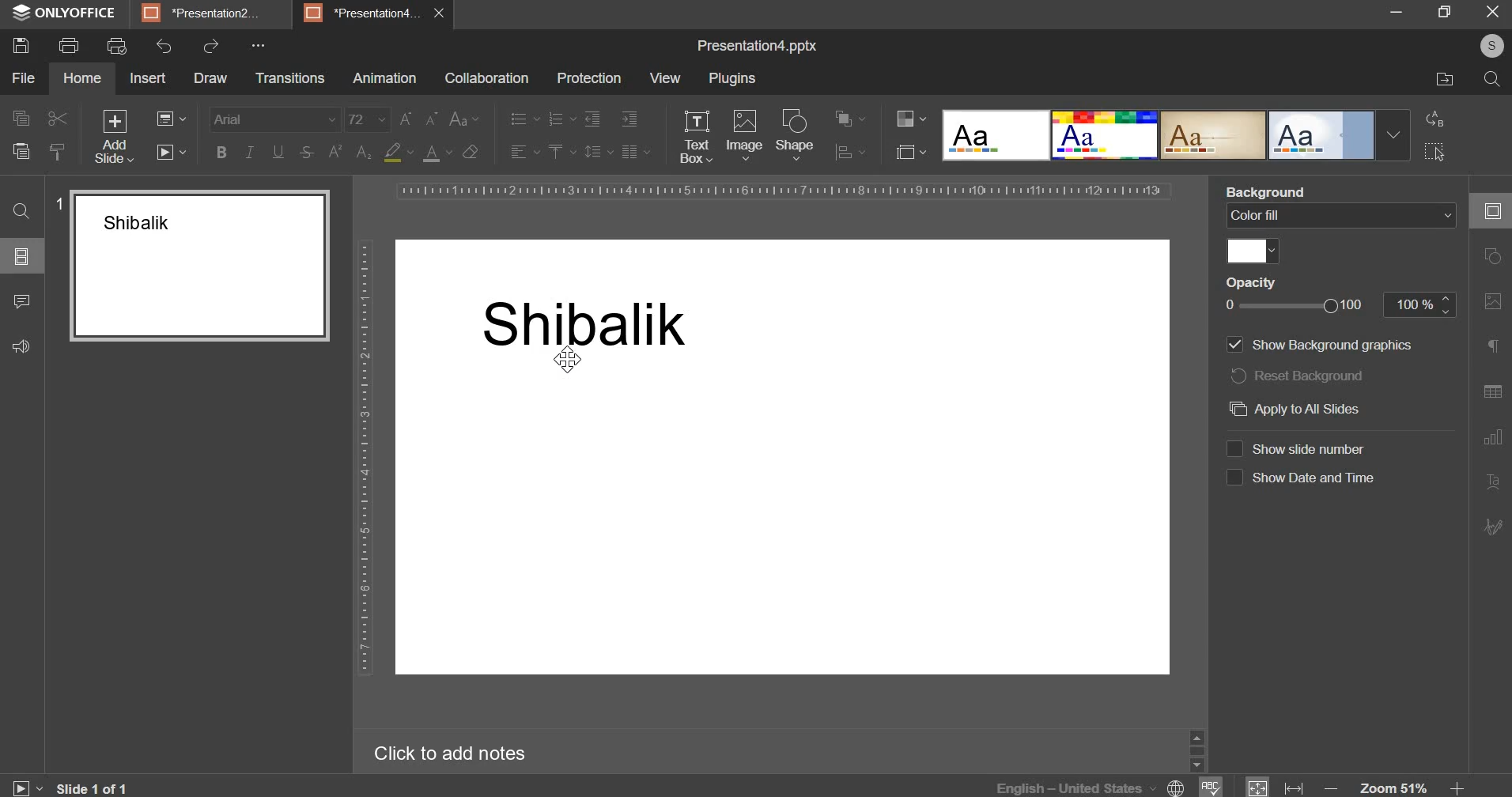 The image size is (1512, 797). What do you see at coordinates (210, 77) in the screenshot?
I see `draw` at bounding box center [210, 77].